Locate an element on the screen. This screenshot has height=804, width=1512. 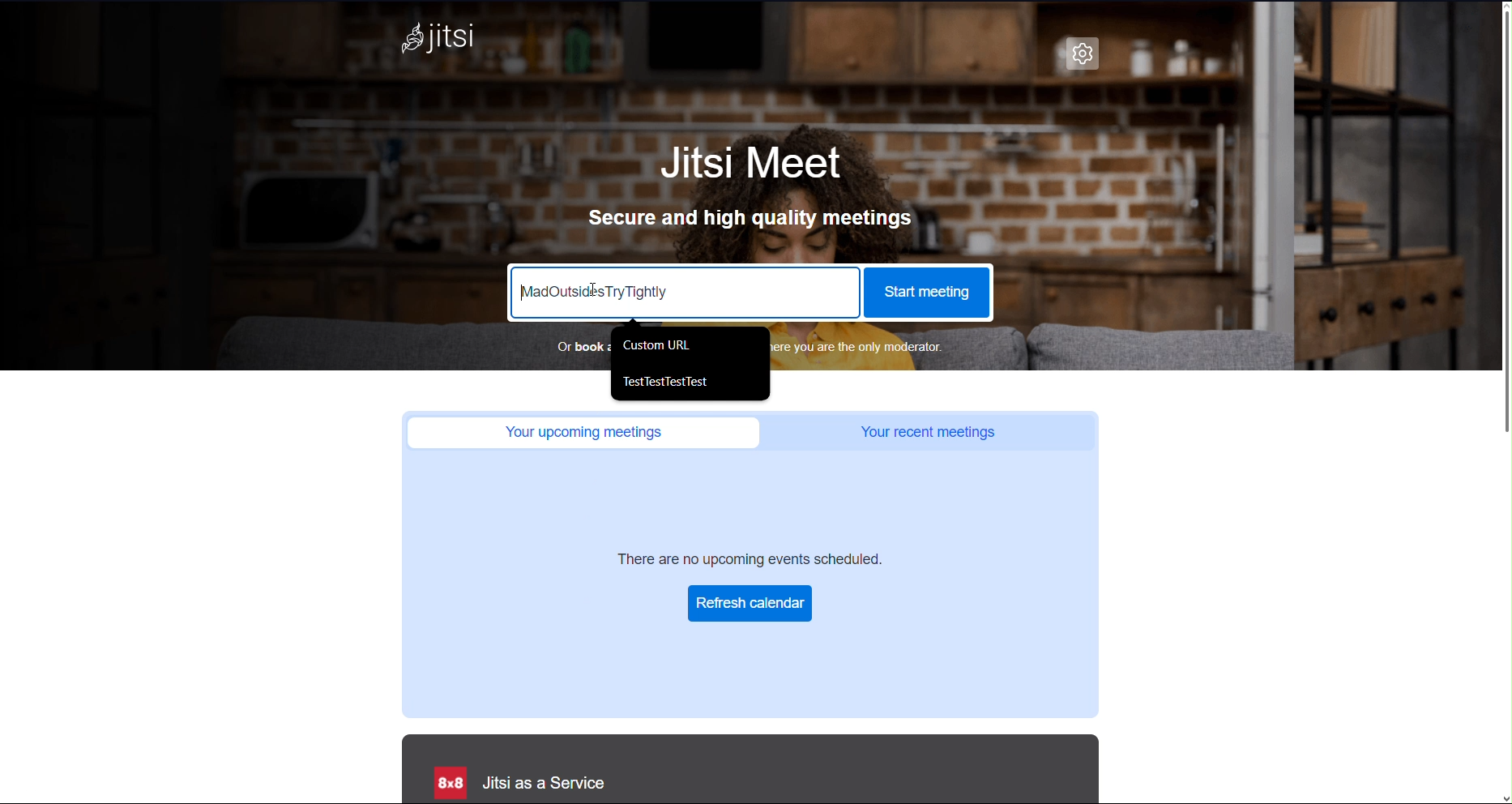
Jitsi Meet is located at coordinates (747, 165).